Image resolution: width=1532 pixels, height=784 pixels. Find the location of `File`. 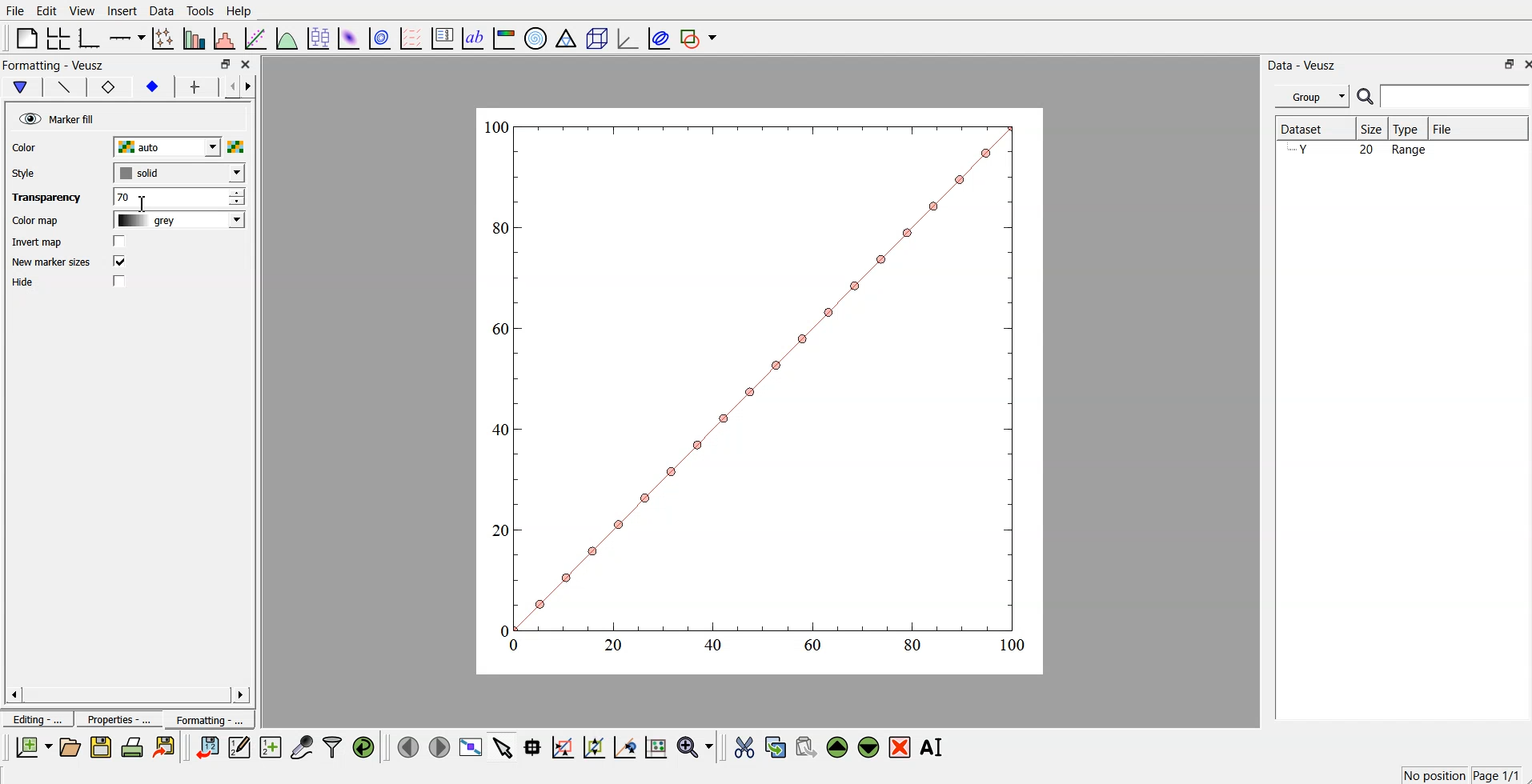

File is located at coordinates (15, 11).